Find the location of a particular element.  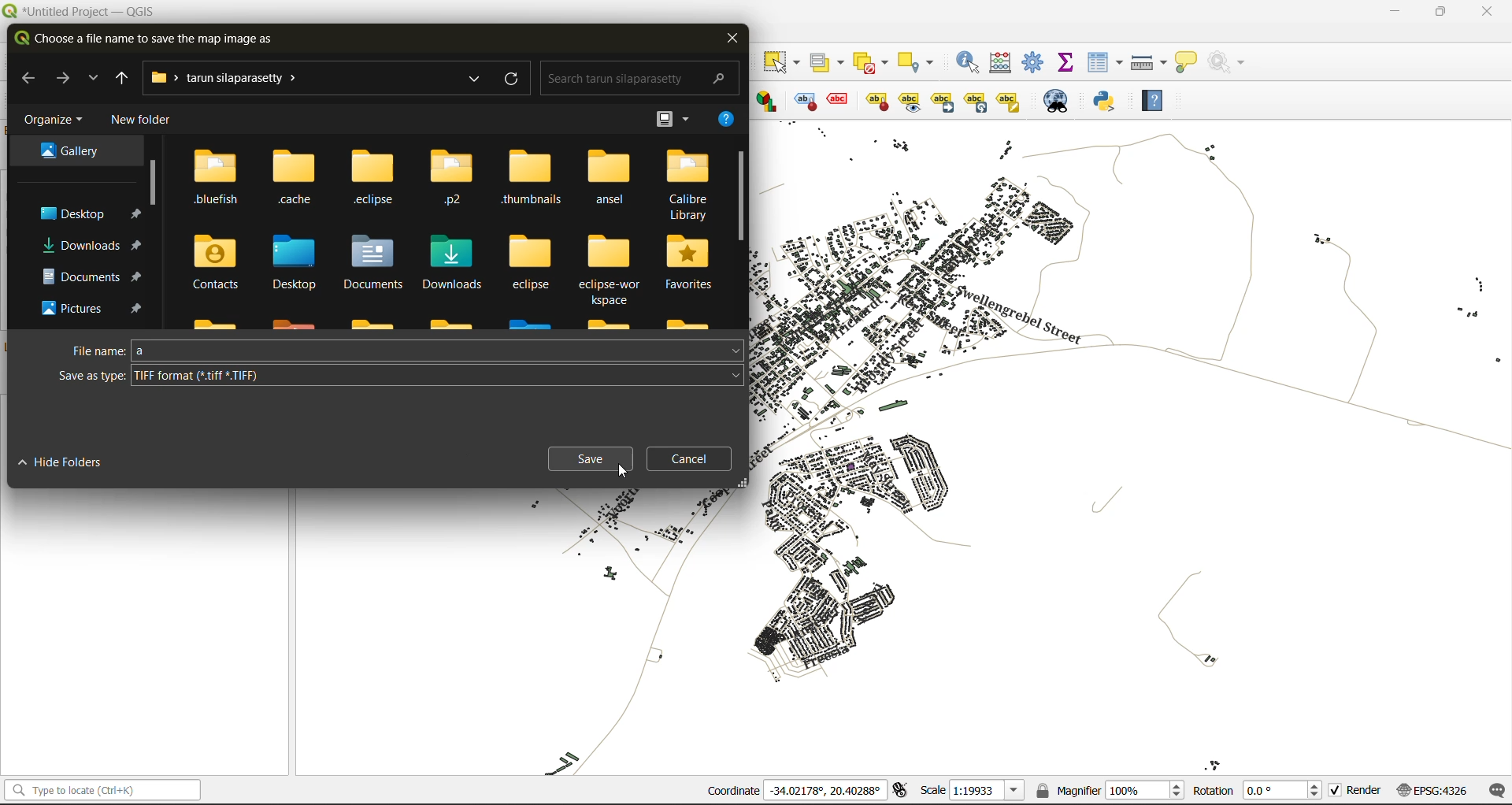

view is located at coordinates (673, 117).